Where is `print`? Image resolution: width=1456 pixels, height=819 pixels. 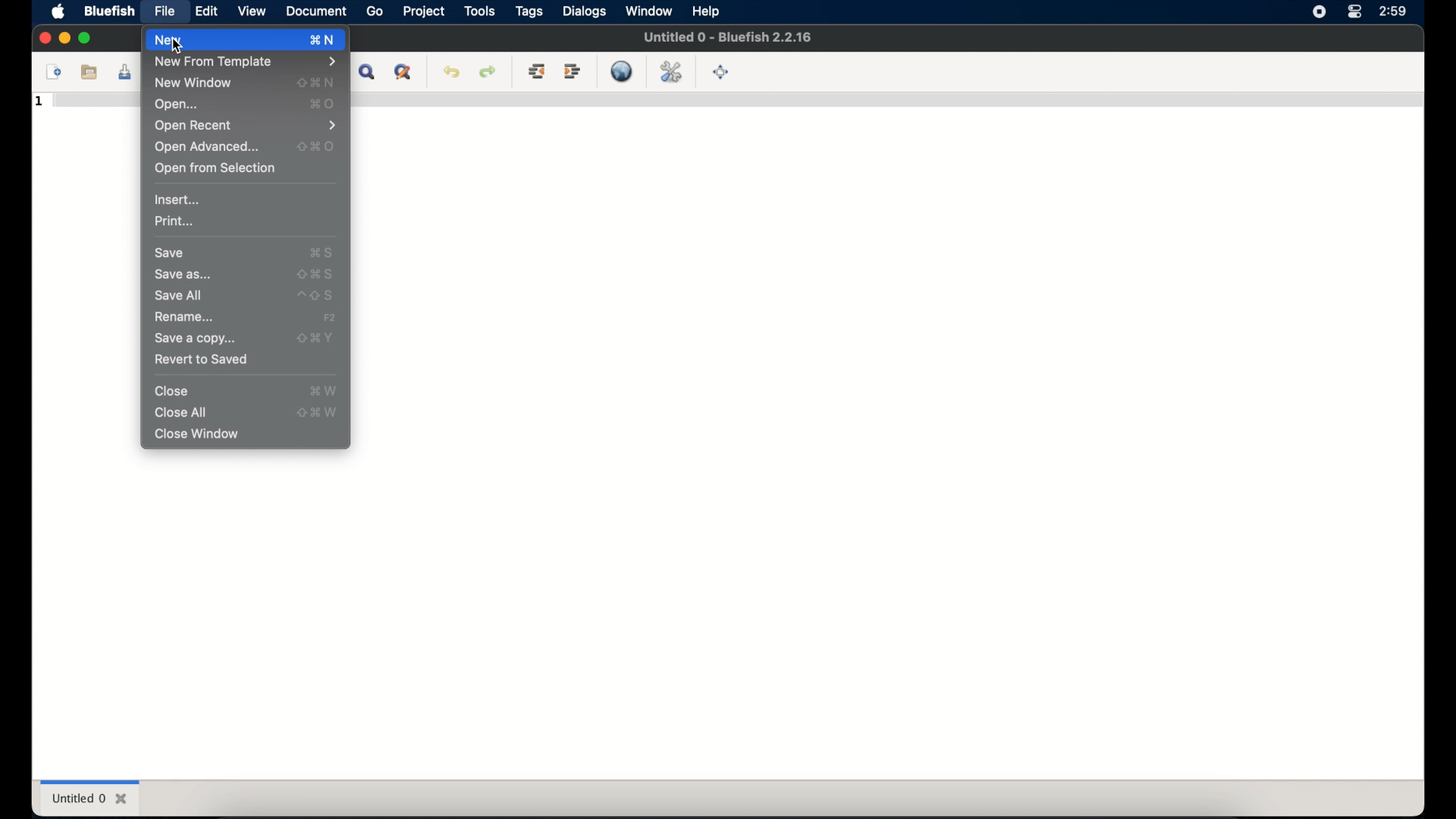 print is located at coordinates (175, 221).